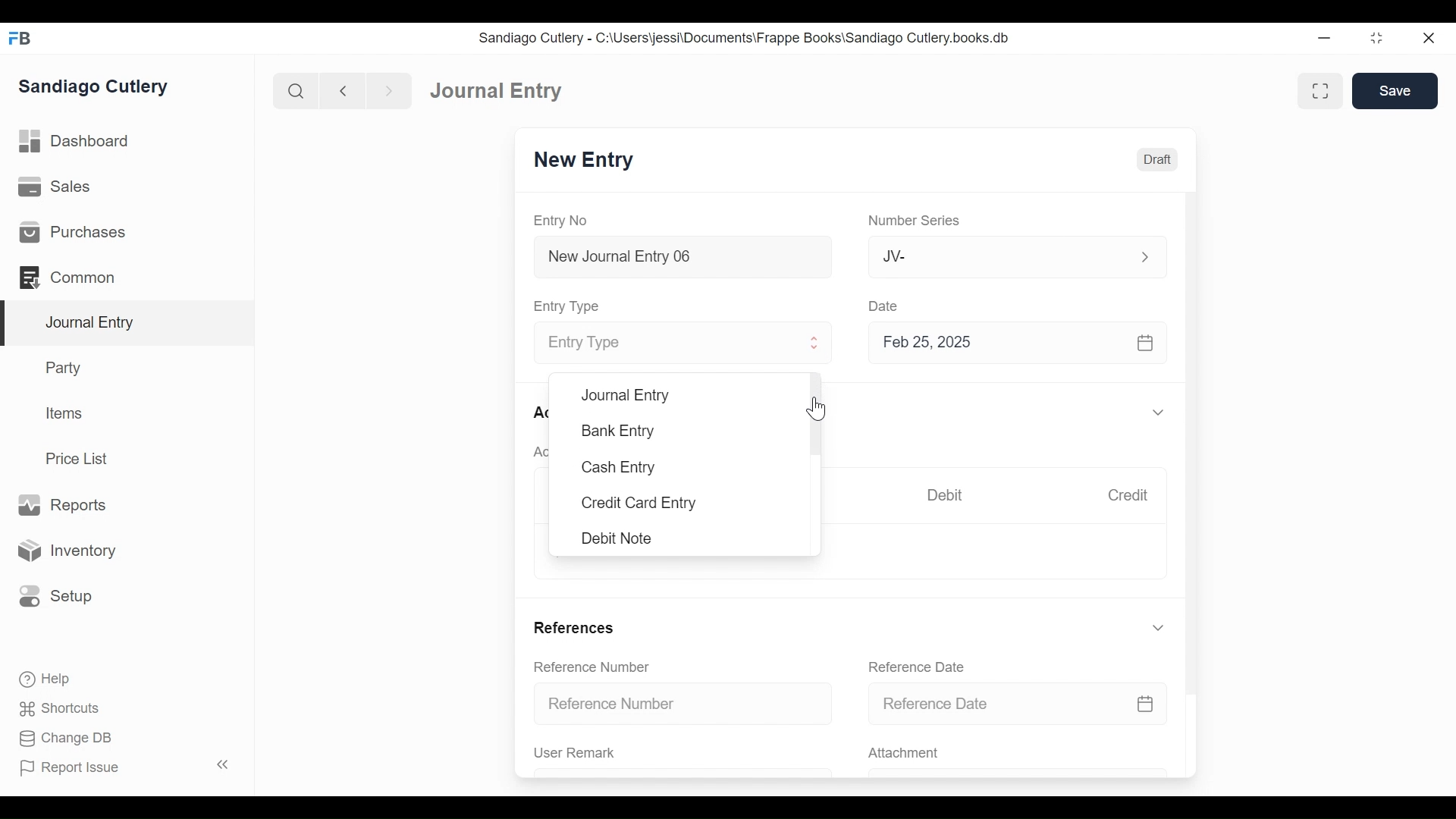 The height and width of the screenshot is (819, 1456). Describe the element at coordinates (569, 306) in the screenshot. I see `Entry Type` at that location.